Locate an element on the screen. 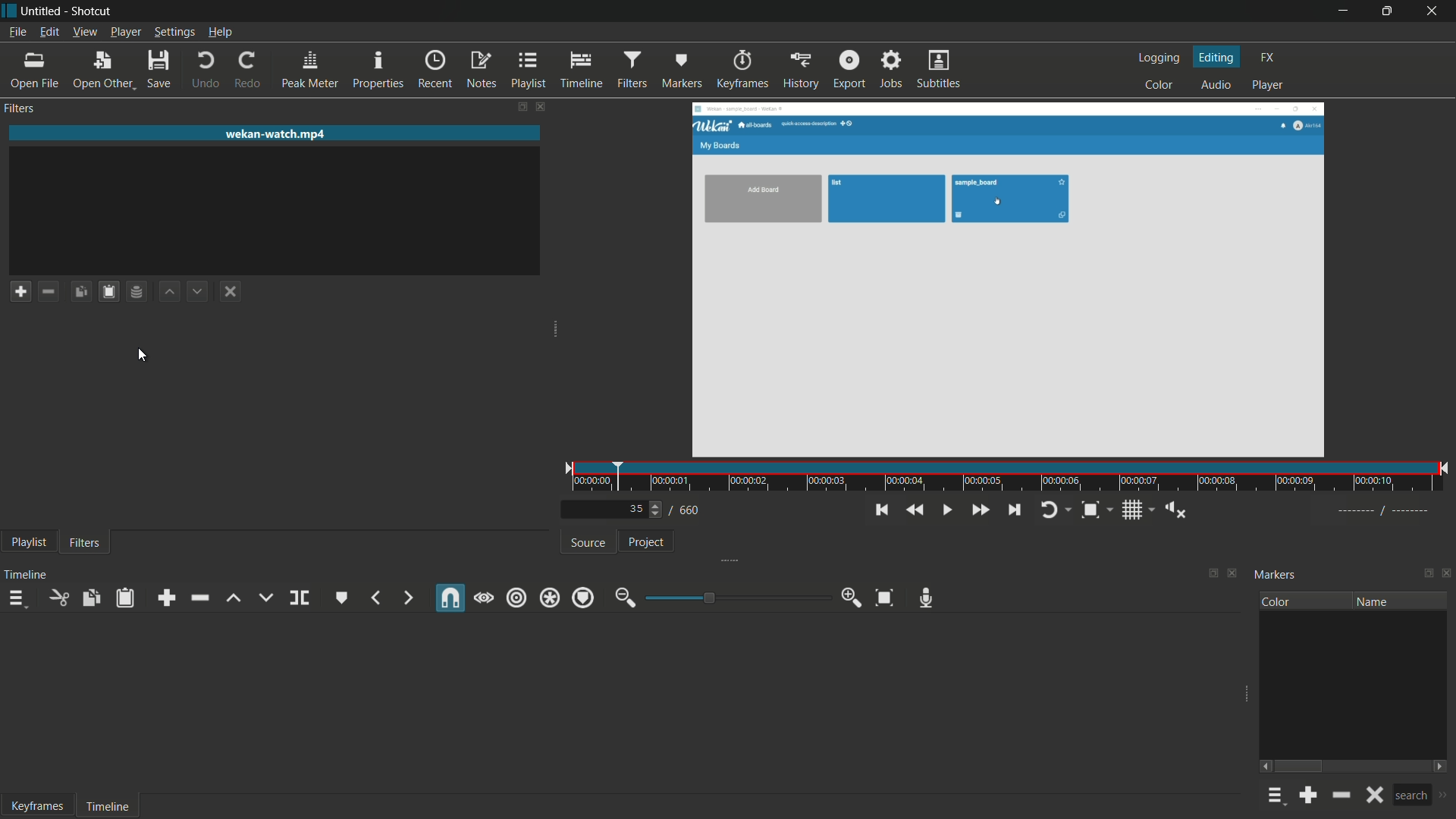  split at playhead is located at coordinates (299, 598).